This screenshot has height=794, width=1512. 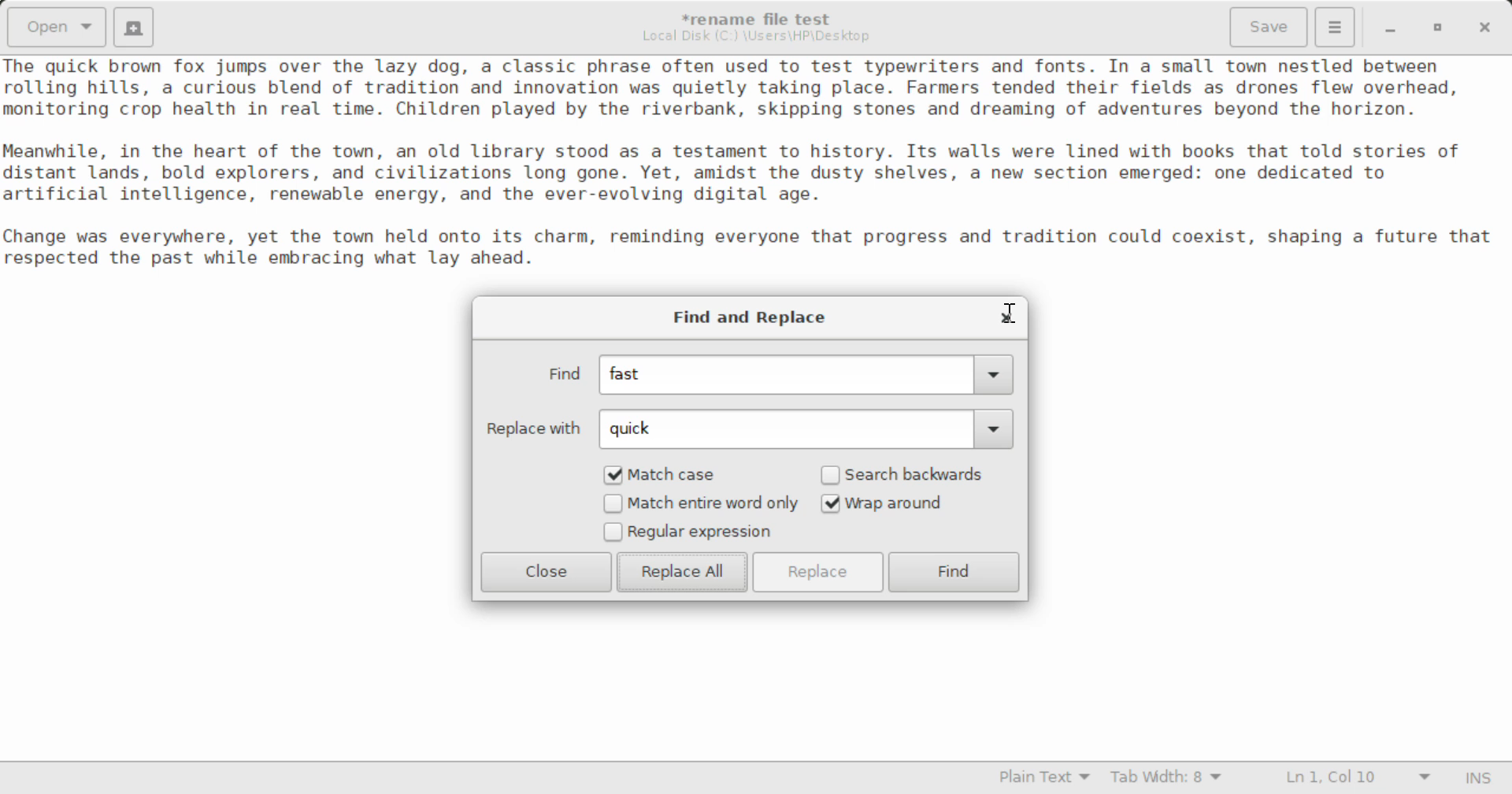 I want to click on More Options Menu, so click(x=1336, y=28).